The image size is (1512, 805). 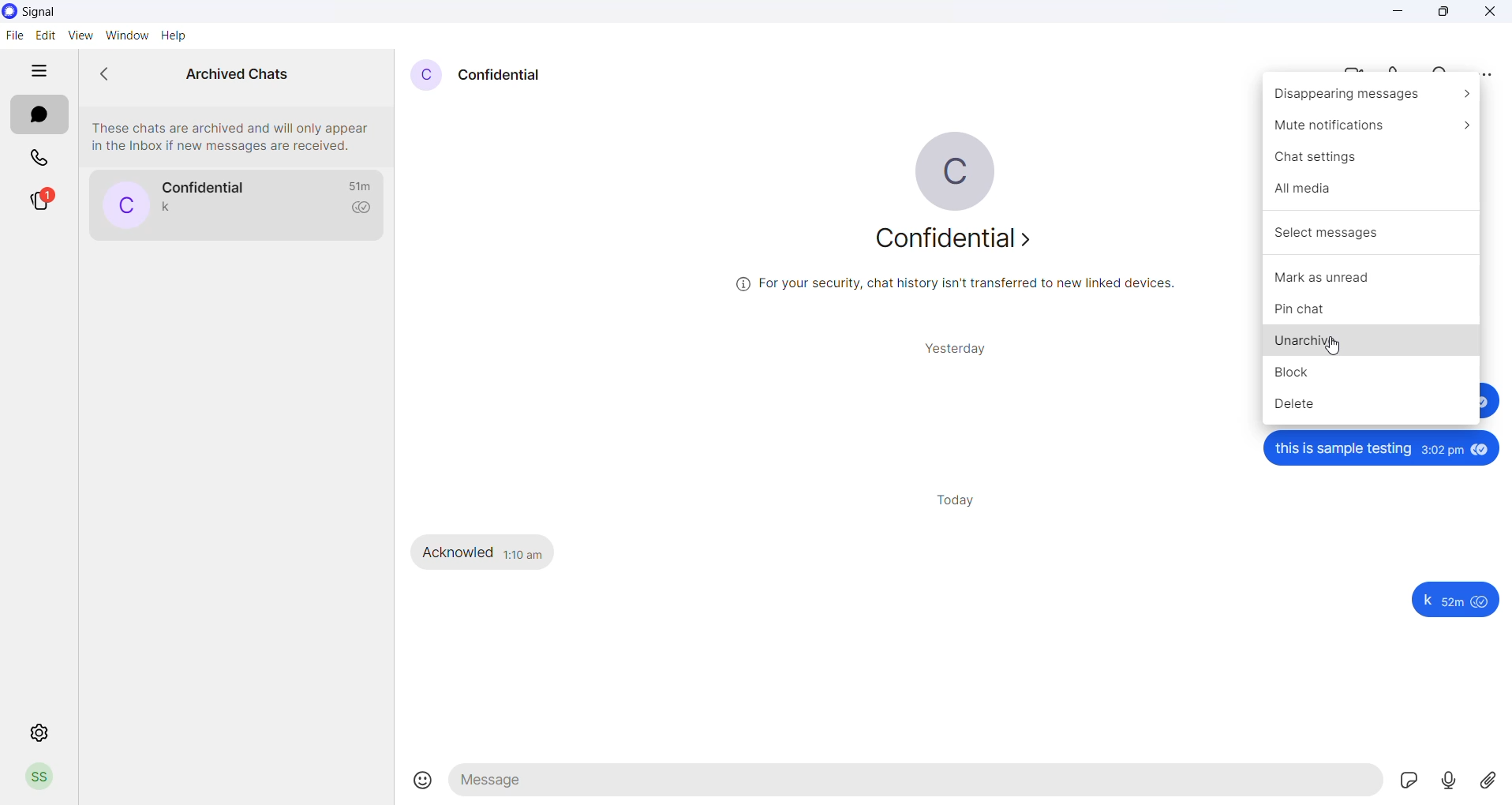 I want to click on go back, so click(x=111, y=74).